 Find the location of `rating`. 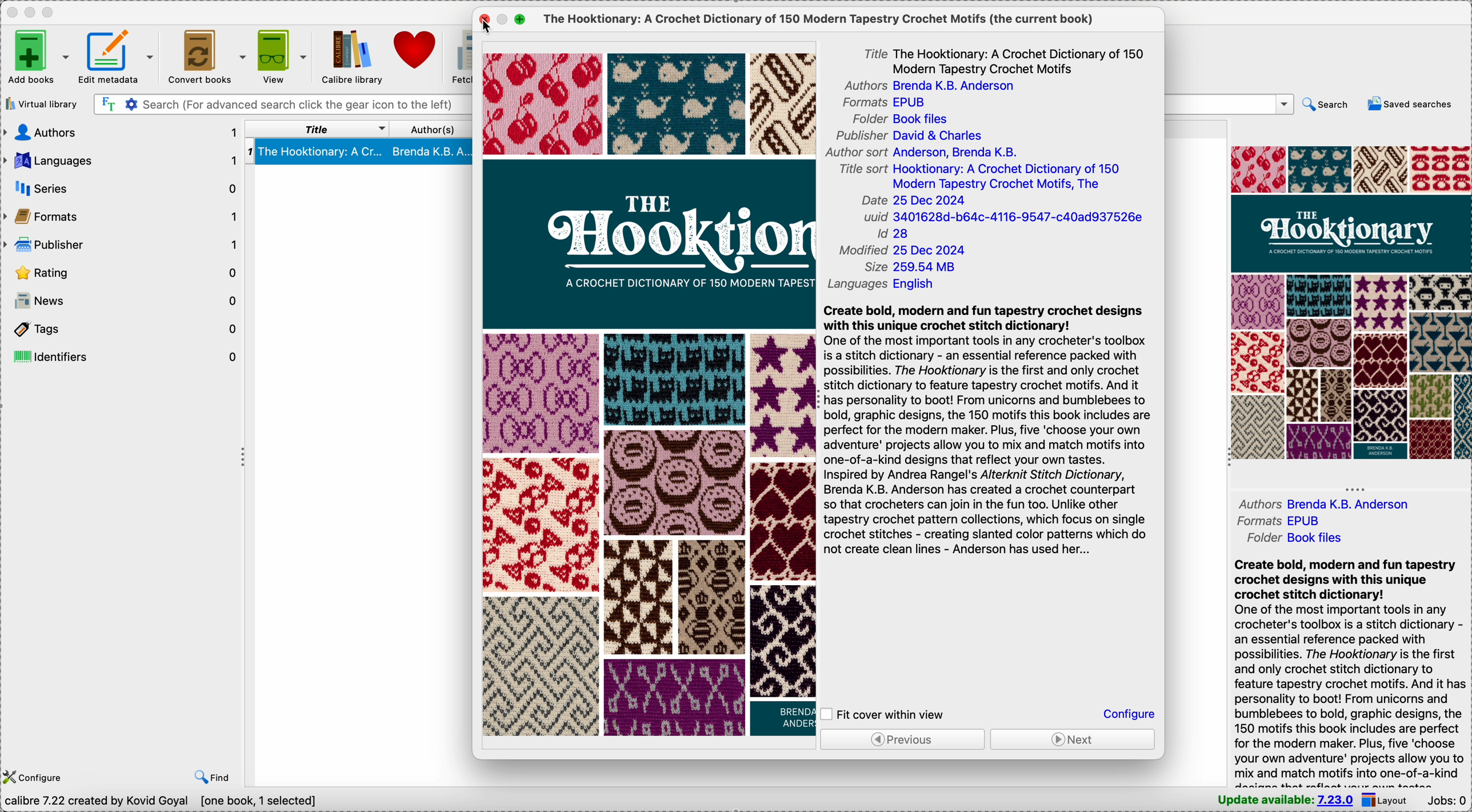

rating is located at coordinates (123, 272).